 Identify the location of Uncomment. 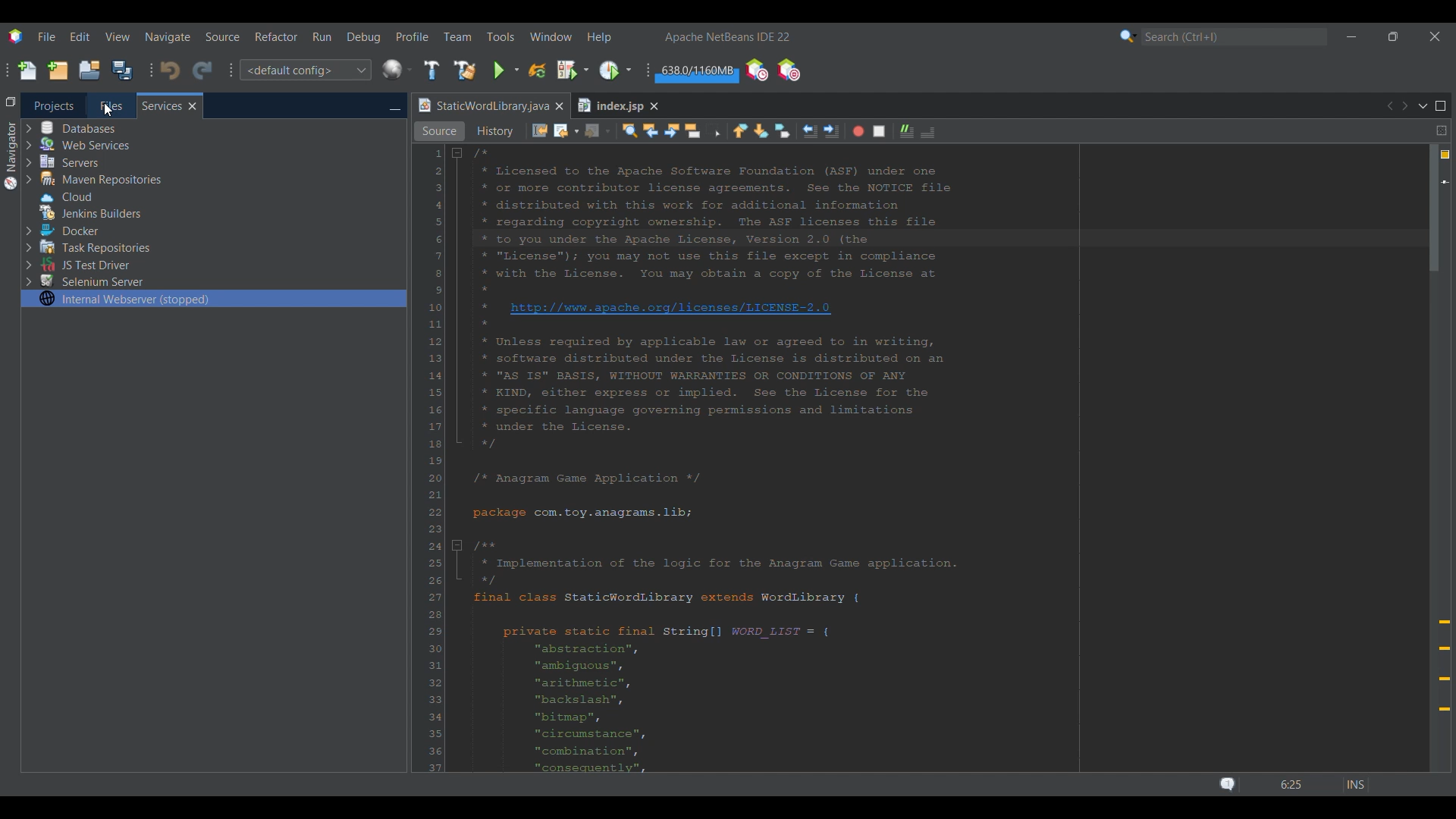
(928, 132).